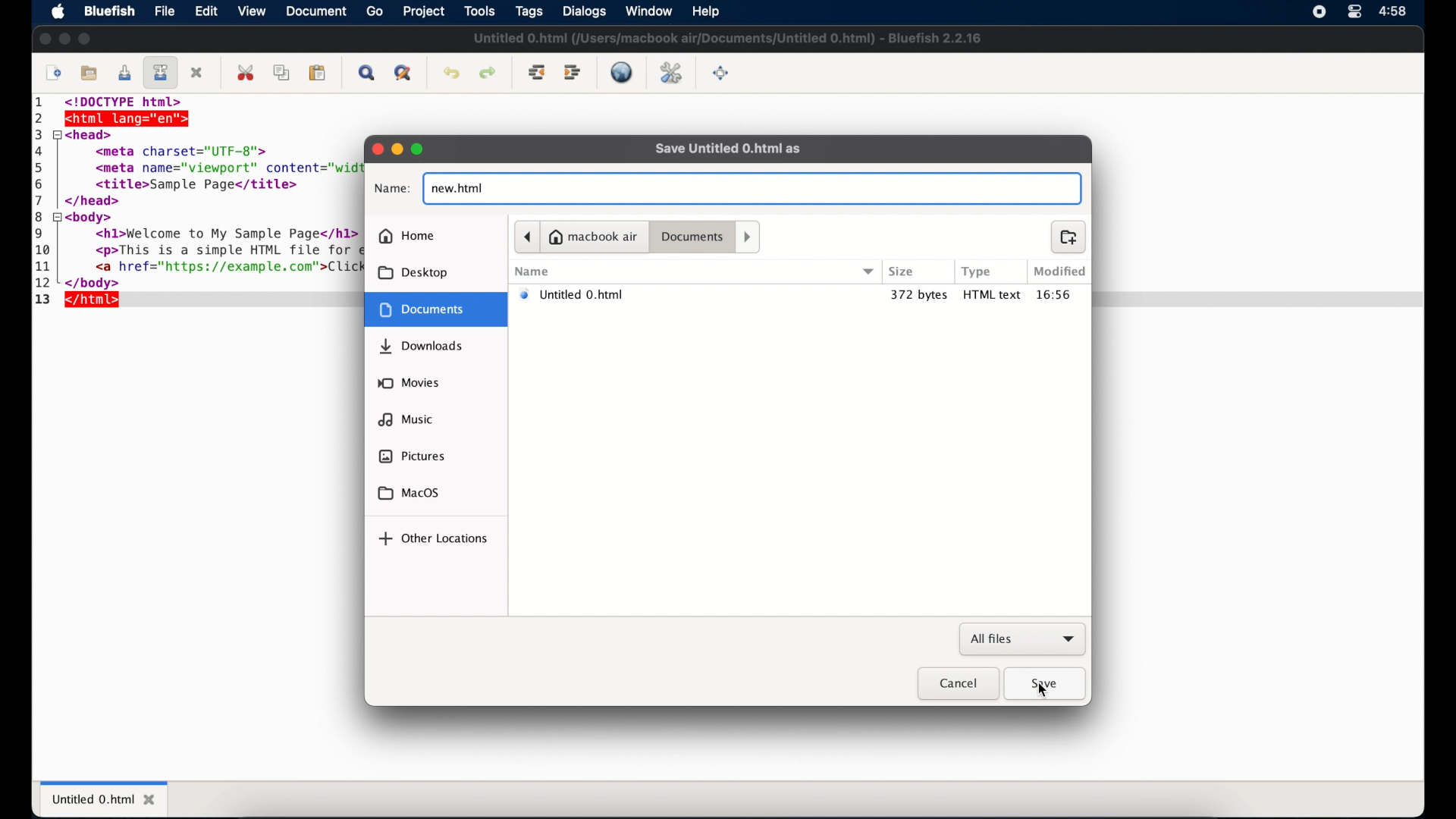 The height and width of the screenshot is (819, 1456). I want to click on modified, so click(1057, 271).